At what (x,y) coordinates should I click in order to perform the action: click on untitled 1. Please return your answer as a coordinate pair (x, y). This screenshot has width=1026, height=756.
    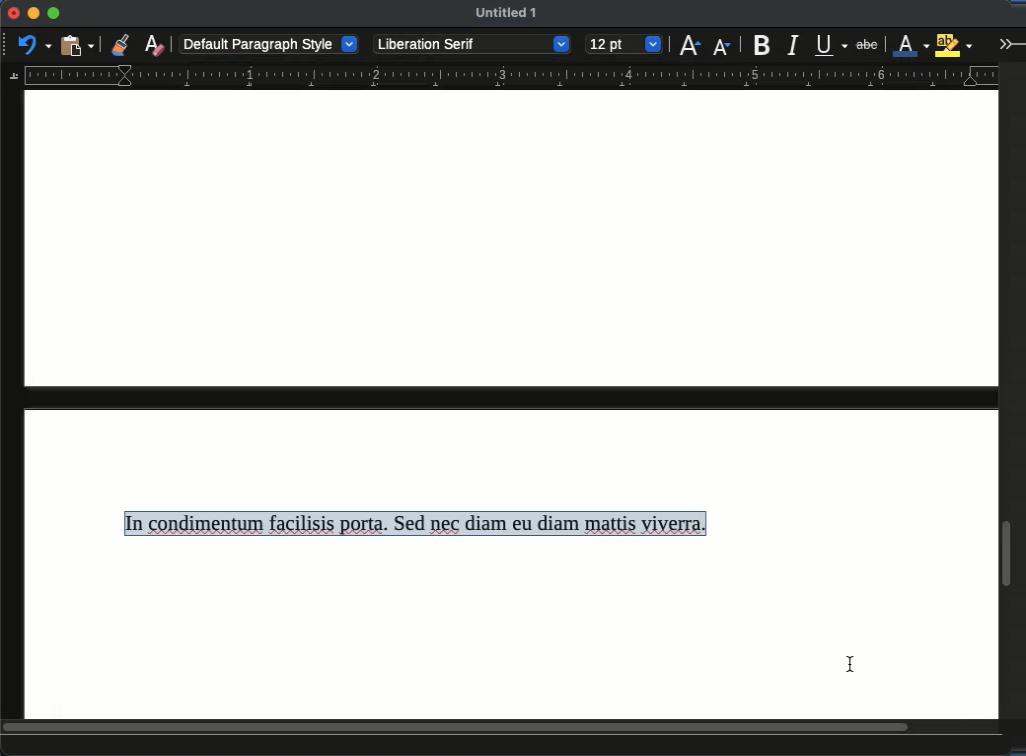
    Looking at the image, I should click on (506, 12).